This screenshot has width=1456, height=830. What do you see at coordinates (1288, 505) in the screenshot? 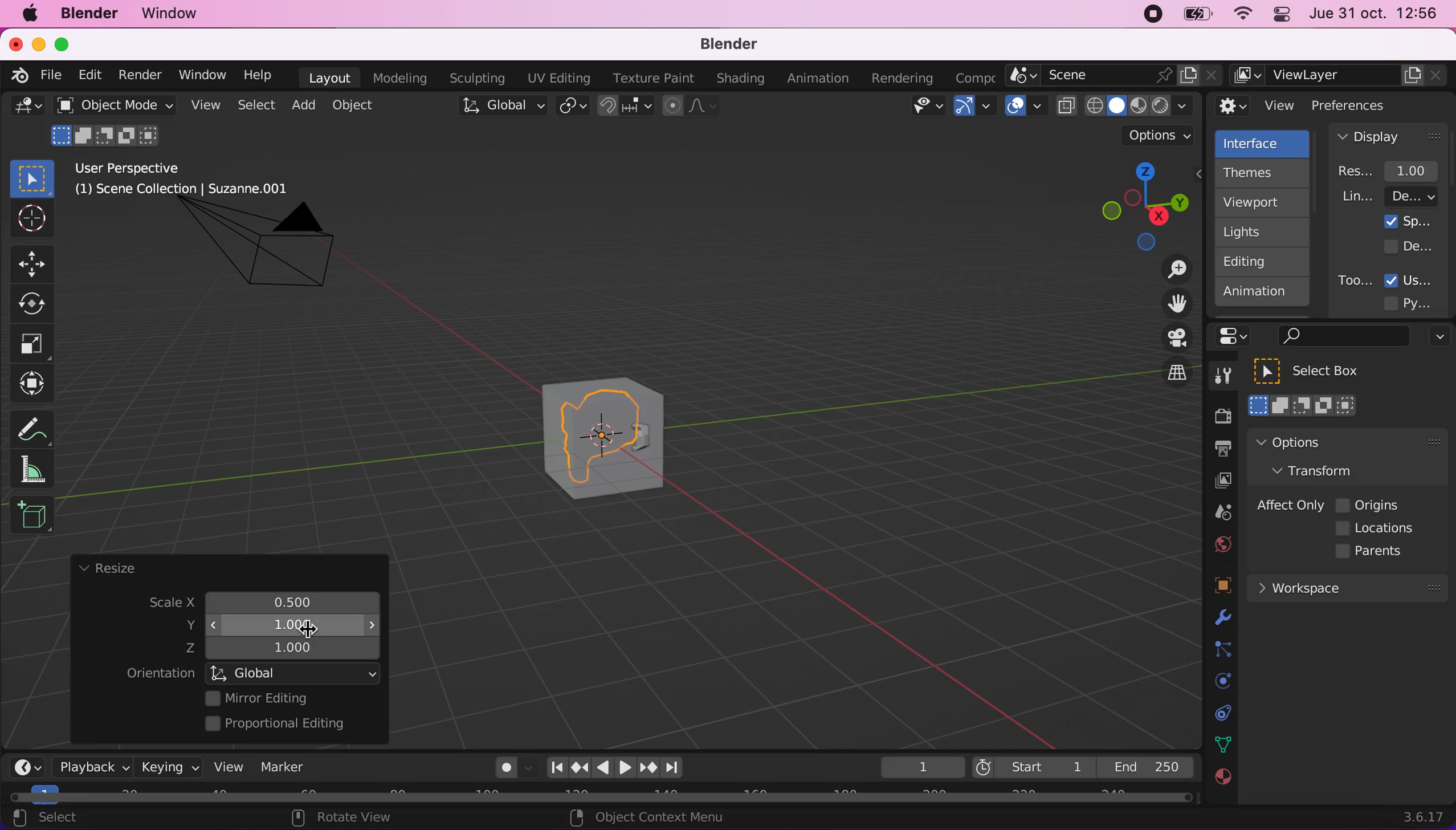
I see `affect only` at bounding box center [1288, 505].